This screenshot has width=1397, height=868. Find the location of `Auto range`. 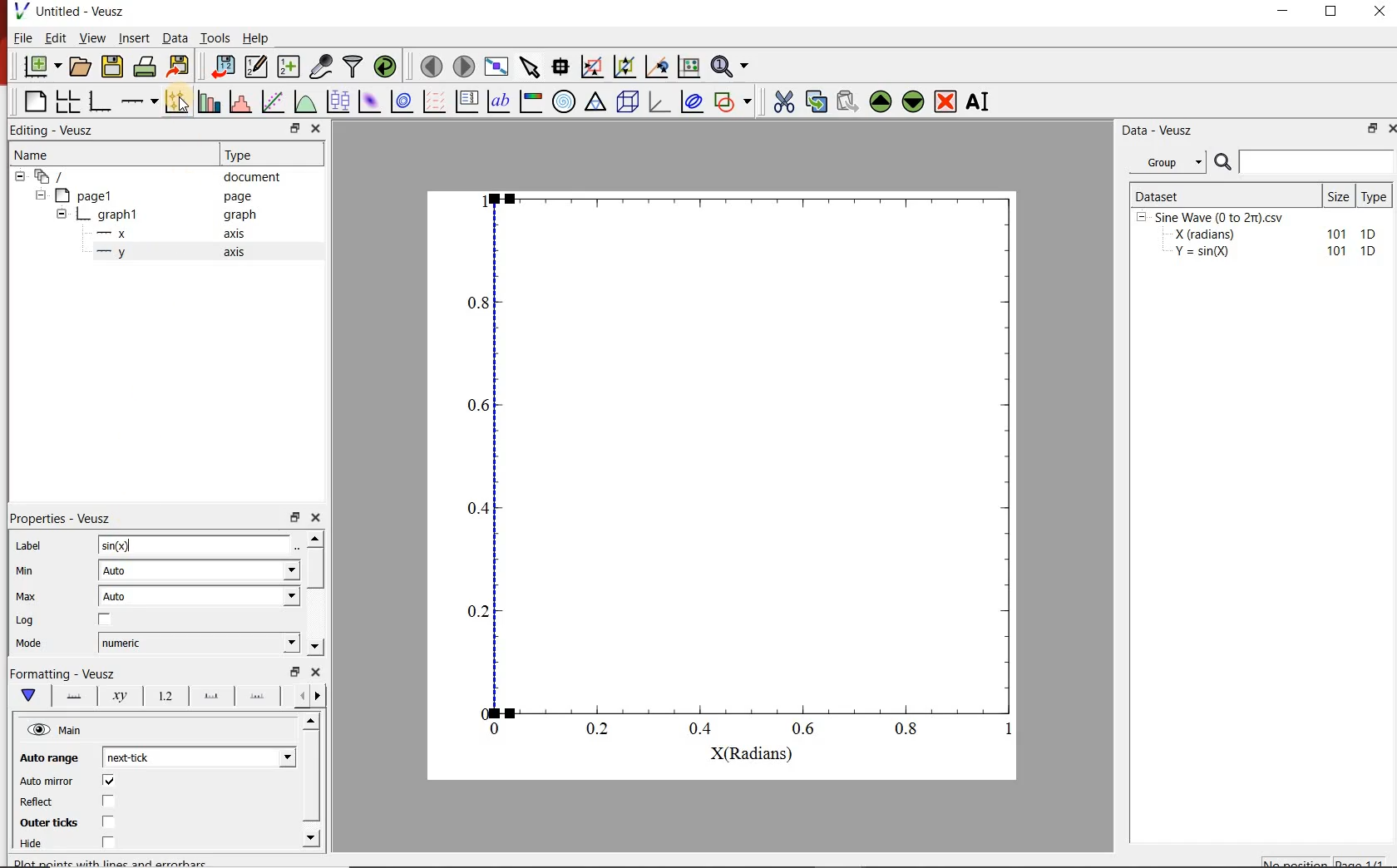

Auto range is located at coordinates (47, 756).